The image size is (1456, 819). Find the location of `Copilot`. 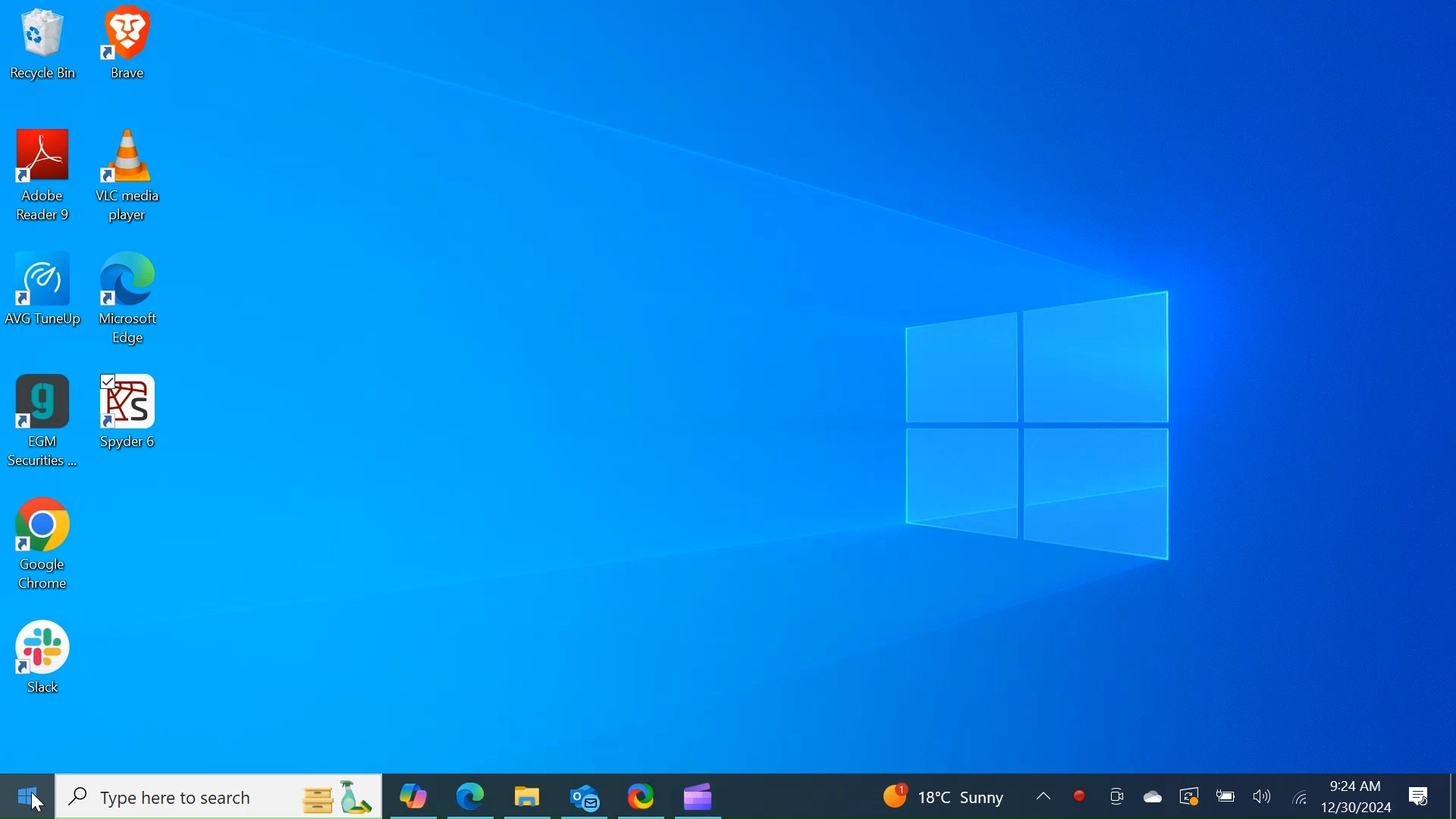

Copilot is located at coordinates (415, 796).